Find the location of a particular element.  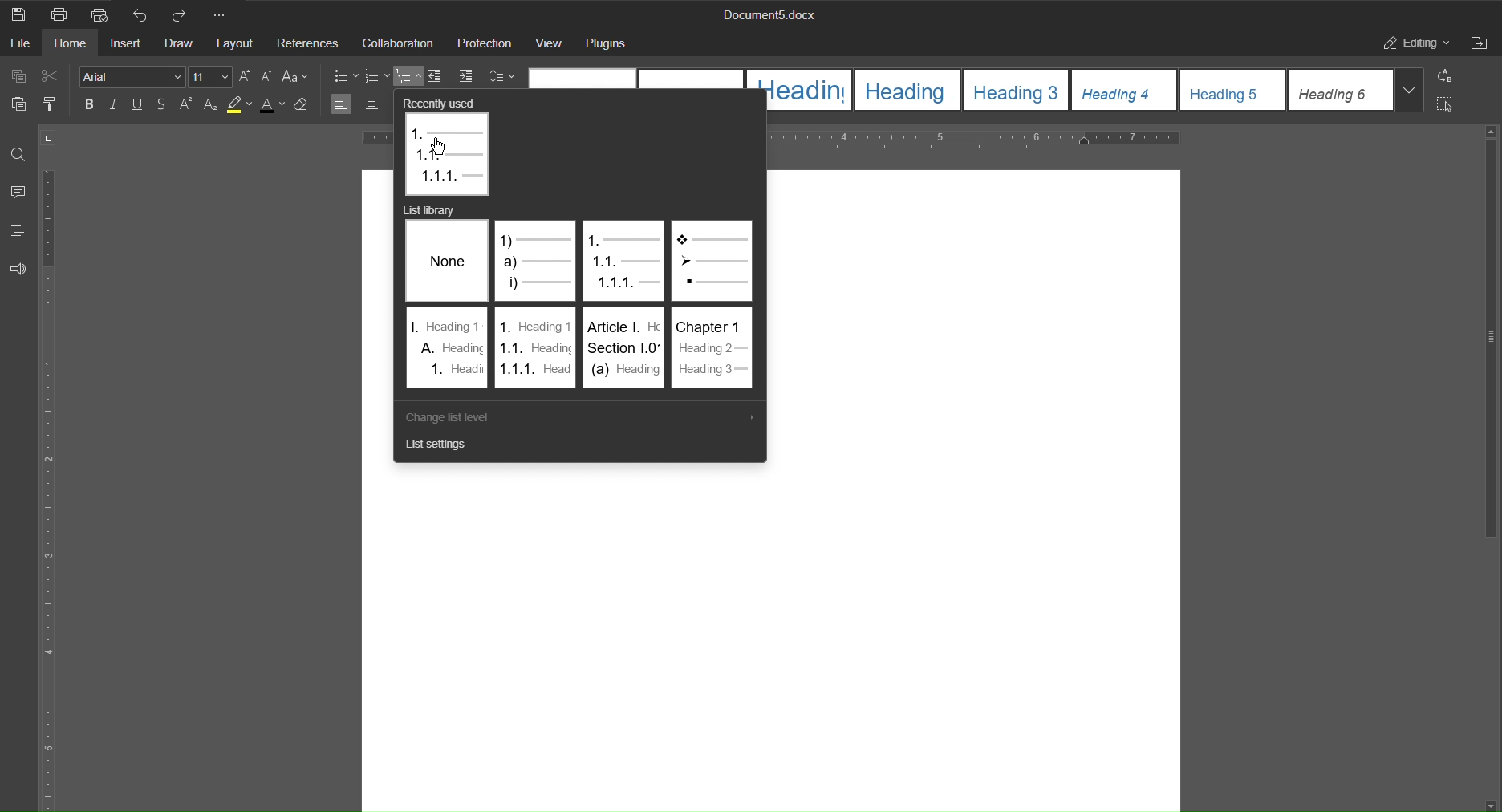

Copy is located at coordinates (17, 77).